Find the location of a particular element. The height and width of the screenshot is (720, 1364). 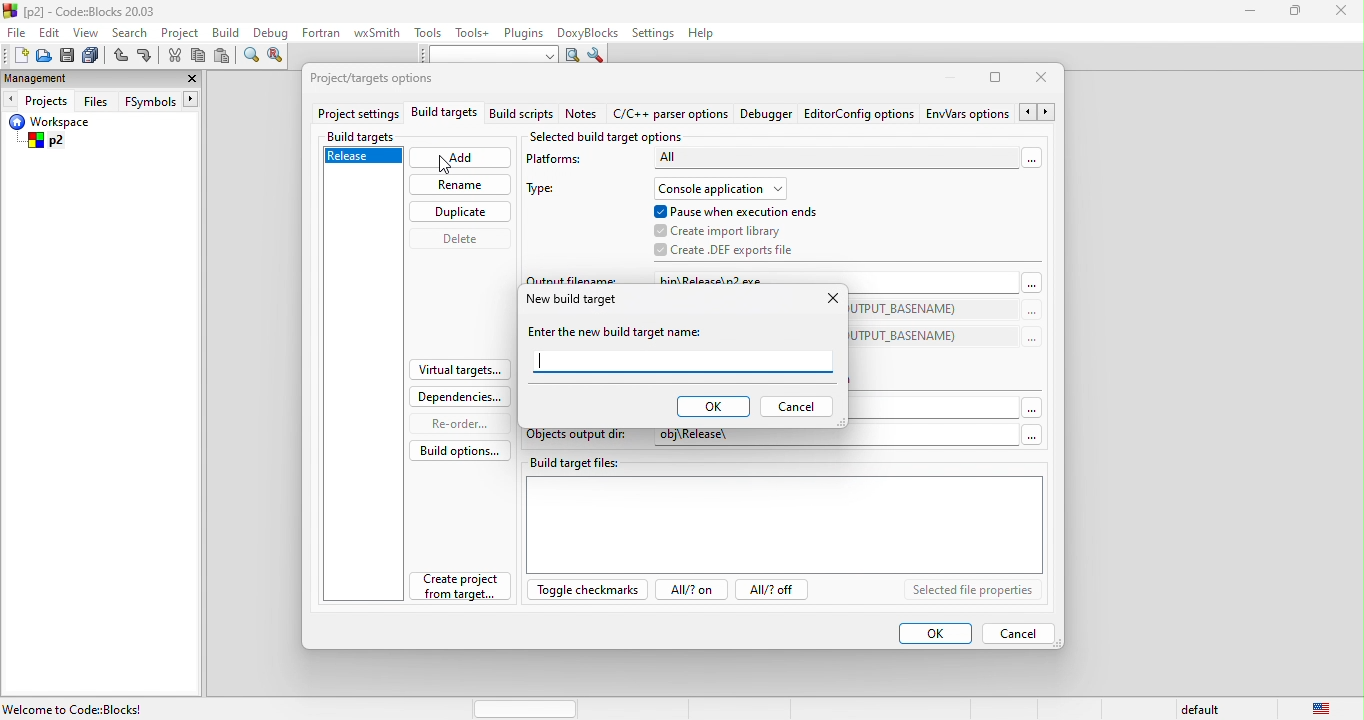

maximize is located at coordinates (995, 77).